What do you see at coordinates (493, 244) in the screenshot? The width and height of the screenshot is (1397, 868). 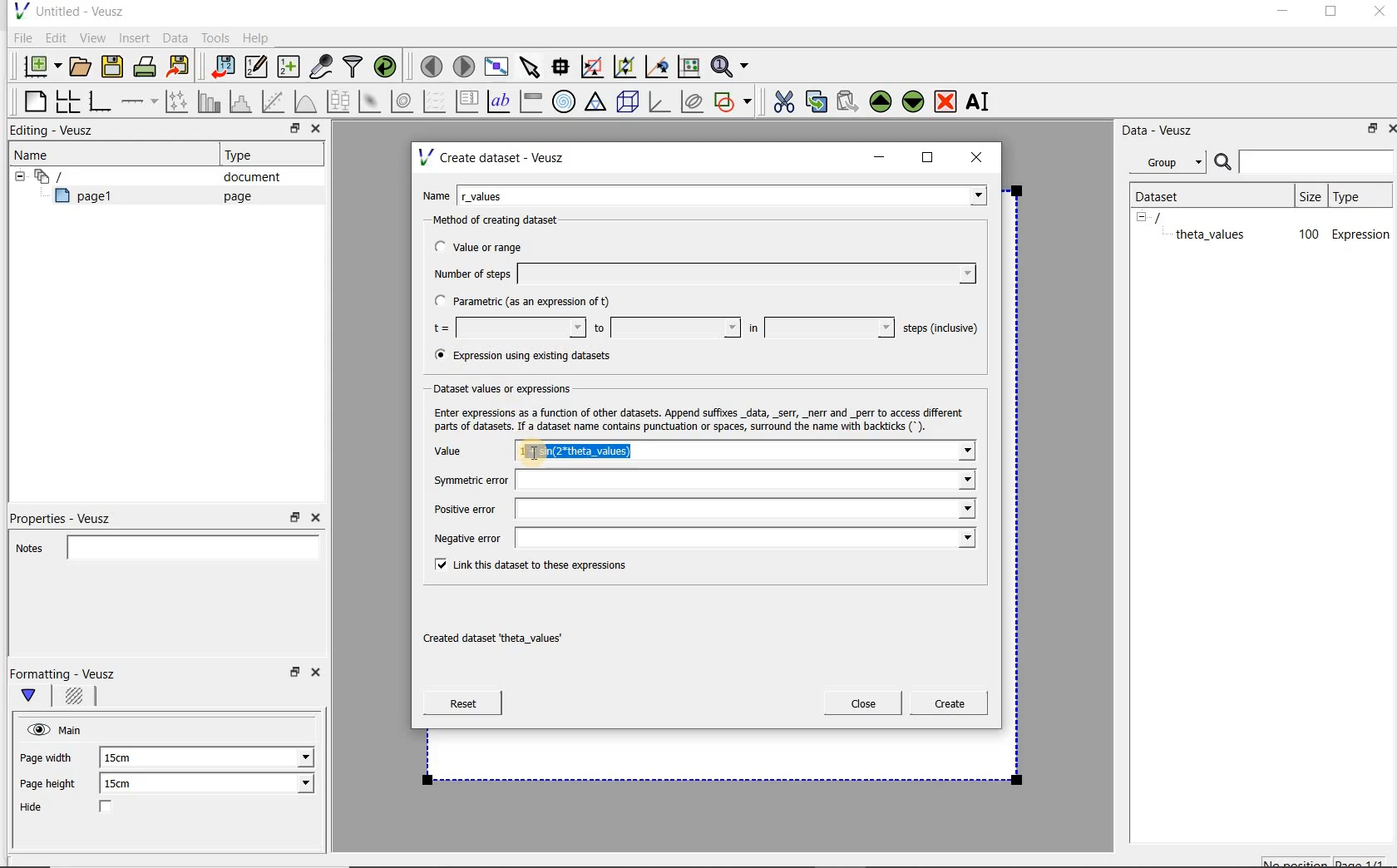 I see `Value or range` at bounding box center [493, 244].